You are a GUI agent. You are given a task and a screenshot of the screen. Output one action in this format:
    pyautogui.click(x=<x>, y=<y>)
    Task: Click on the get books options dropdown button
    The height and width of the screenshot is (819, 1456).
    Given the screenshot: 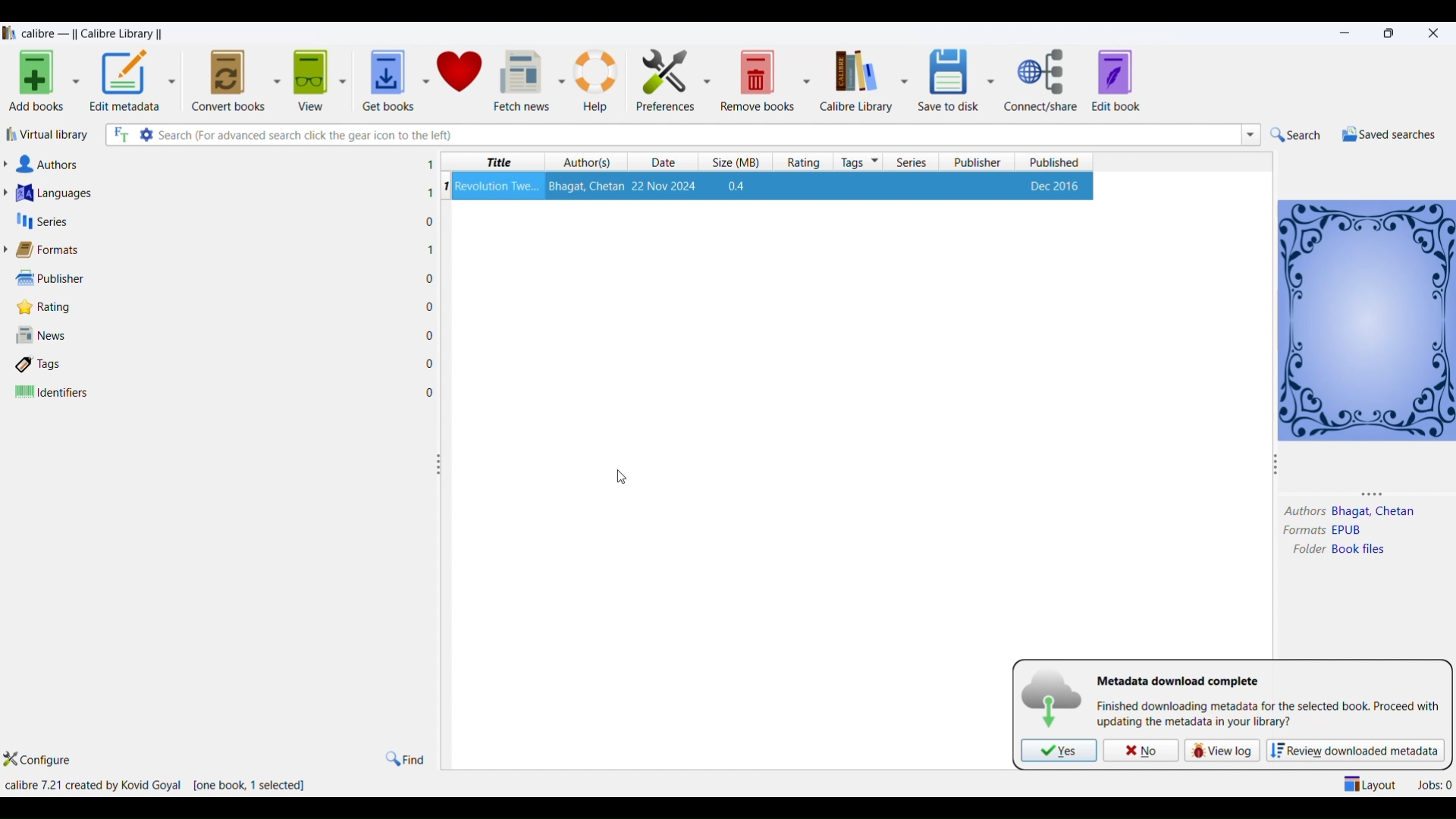 What is the action you would take?
    pyautogui.click(x=425, y=73)
    